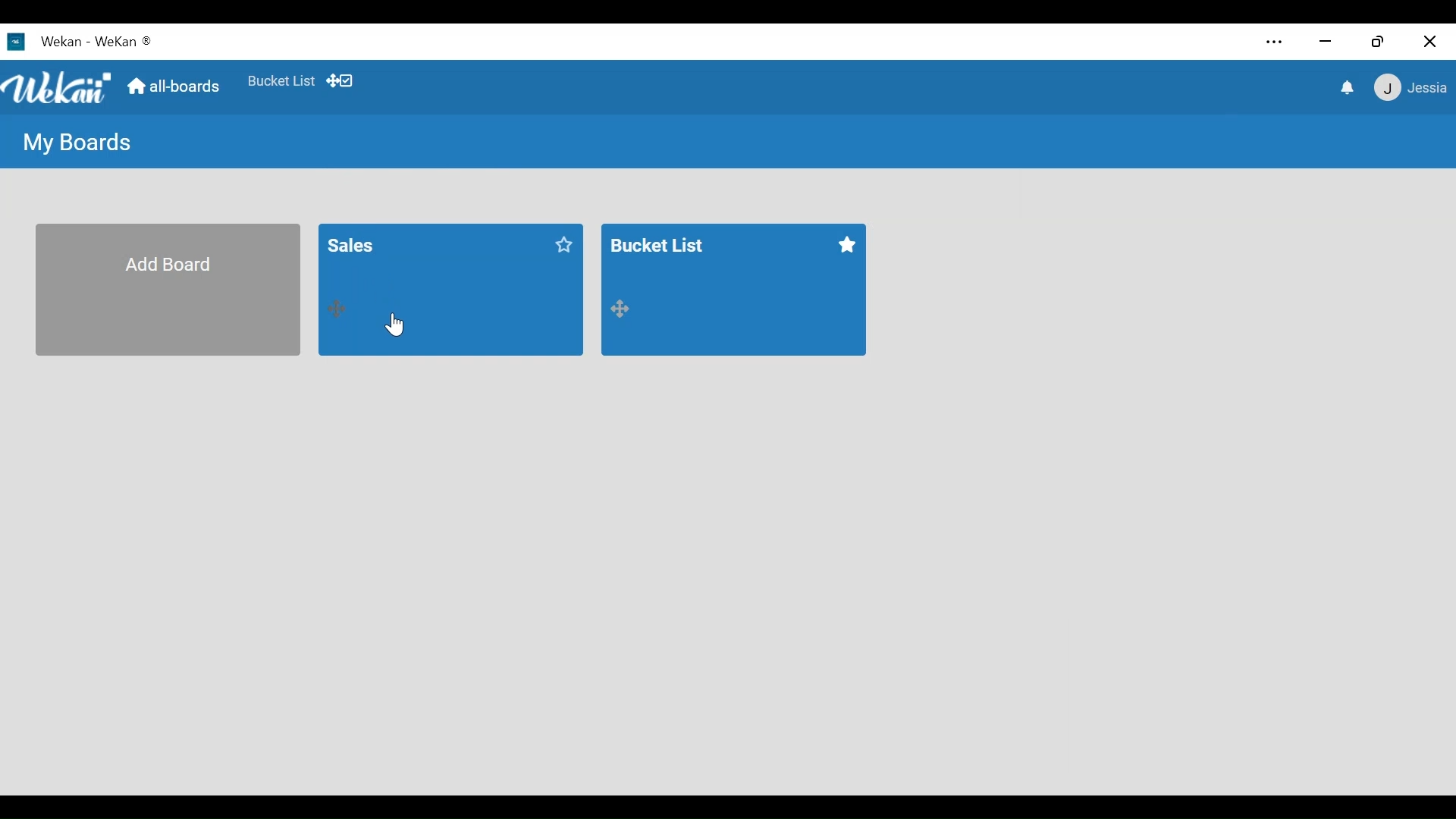 This screenshot has width=1456, height=819. What do you see at coordinates (176, 84) in the screenshot?
I see `Go Home view (all boards)` at bounding box center [176, 84].